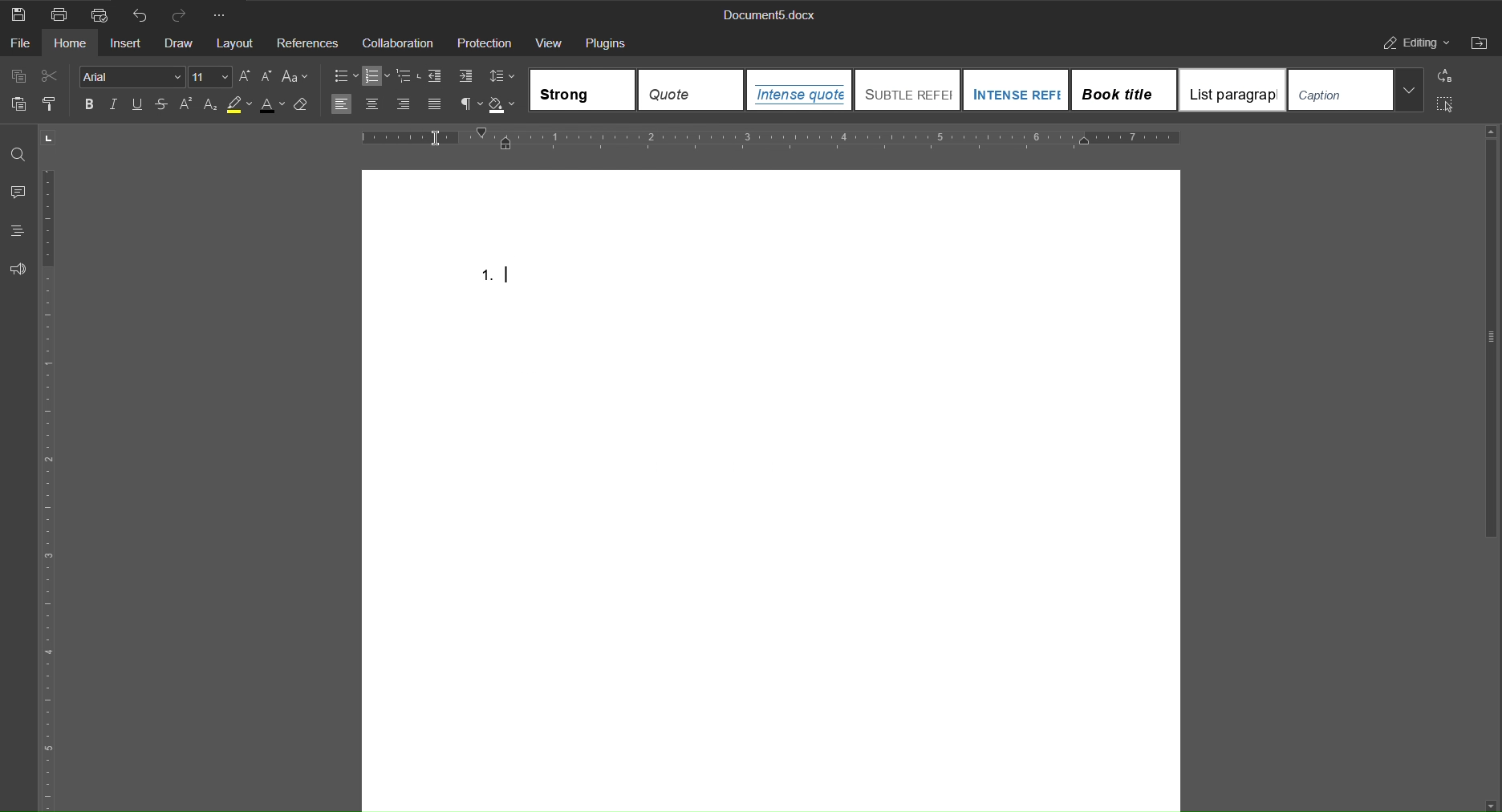 This screenshot has width=1502, height=812. Describe the element at coordinates (765, 15) in the screenshot. I see `Document5.docx` at that location.